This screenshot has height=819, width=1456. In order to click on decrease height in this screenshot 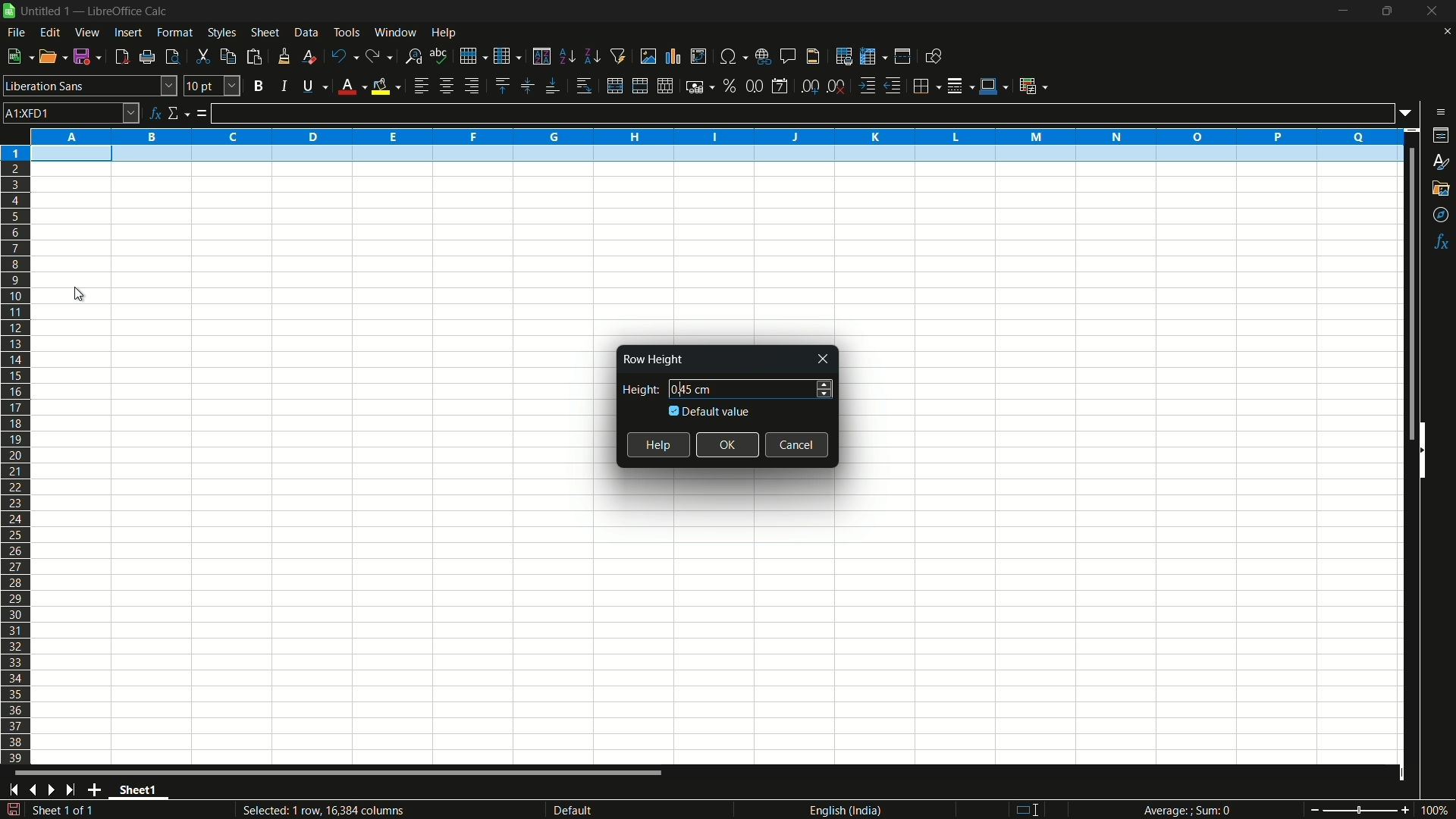, I will do `click(824, 395)`.